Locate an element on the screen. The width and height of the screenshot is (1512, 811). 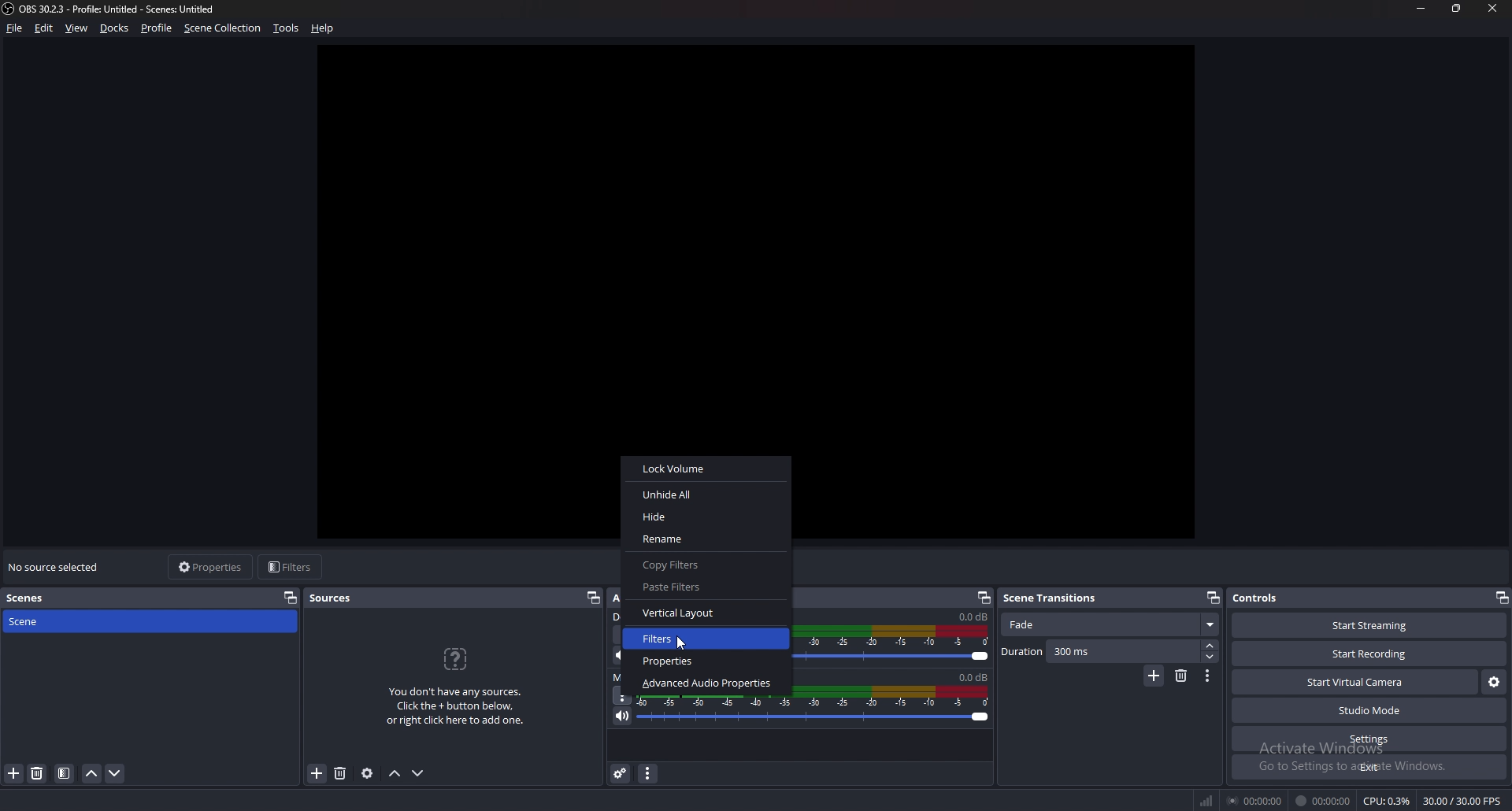
filters is located at coordinates (292, 567).